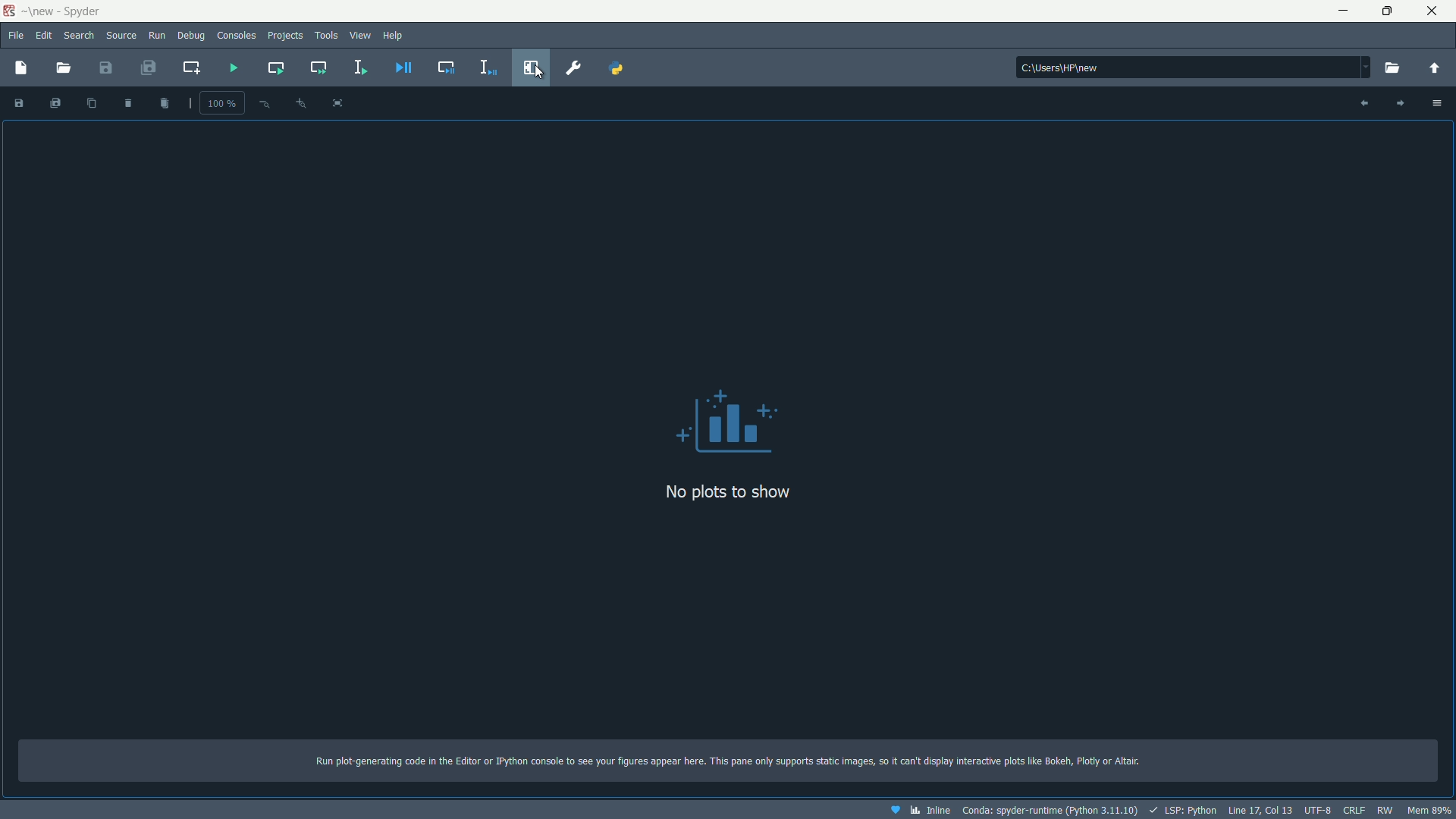 This screenshot has width=1456, height=819. I want to click on save all files, so click(146, 67).